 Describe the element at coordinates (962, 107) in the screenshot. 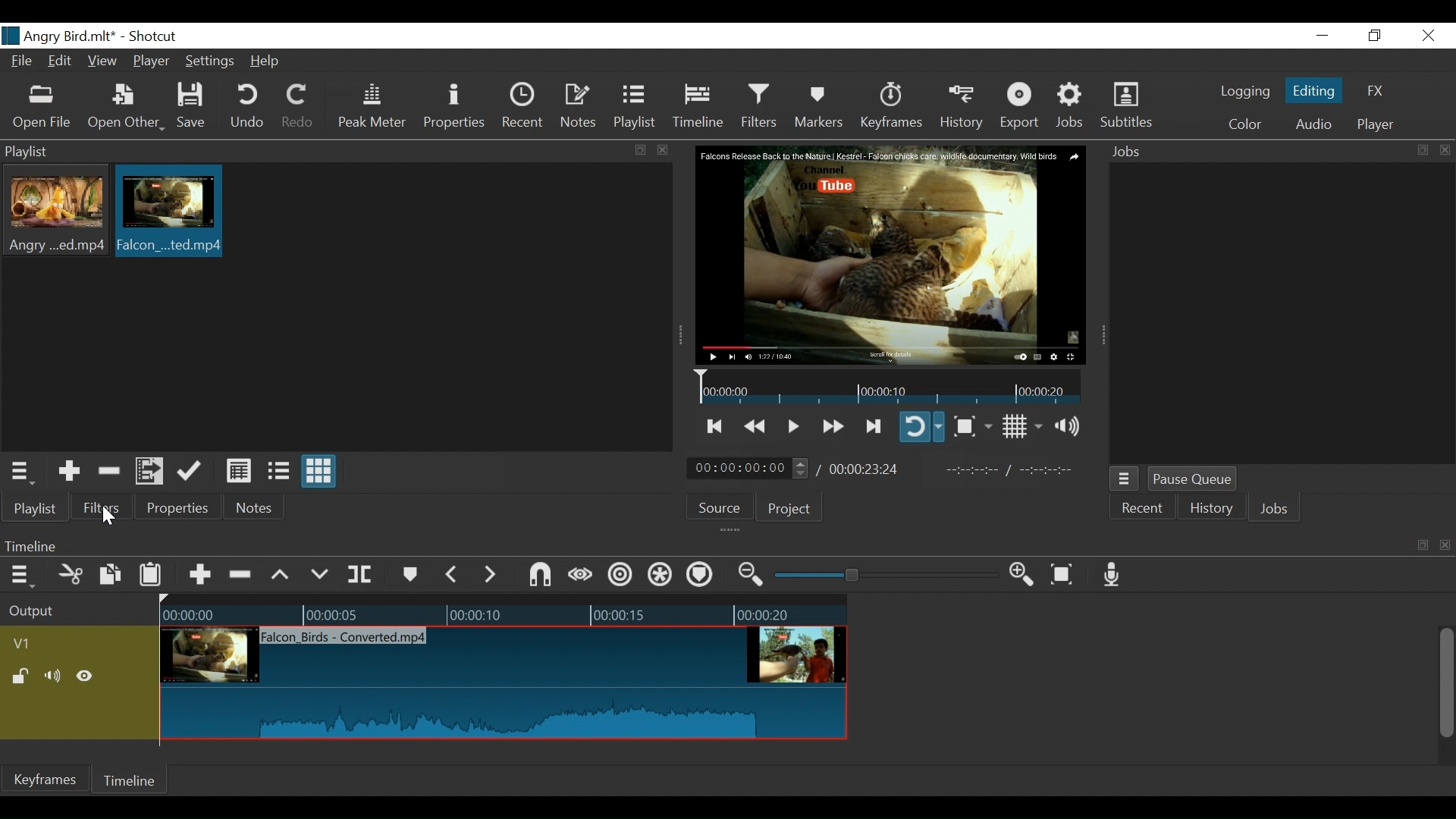

I see `History` at that location.